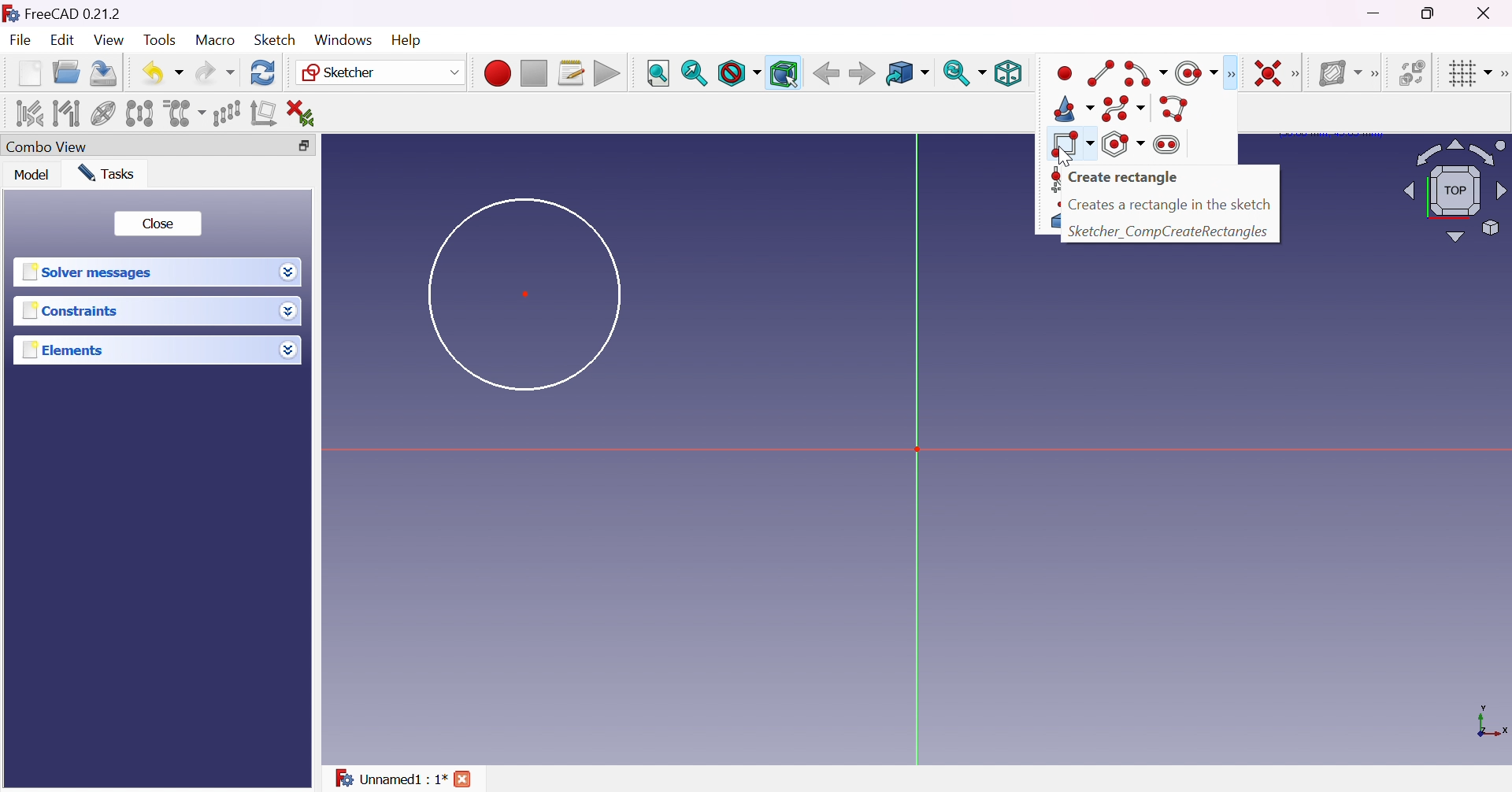 The image size is (1512, 792). What do you see at coordinates (67, 112) in the screenshot?
I see `Select associated geometry` at bounding box center [67, 112].